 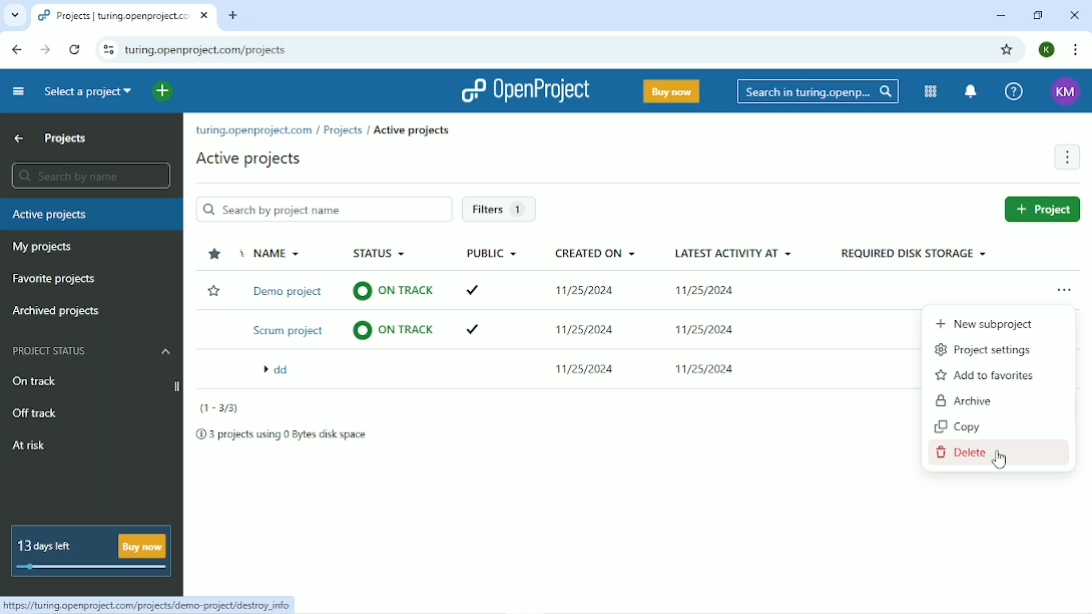 What do you see at coordinates (74, 49) in the screenshot?
I see `Reload this page` at bounding box center [74, 49].